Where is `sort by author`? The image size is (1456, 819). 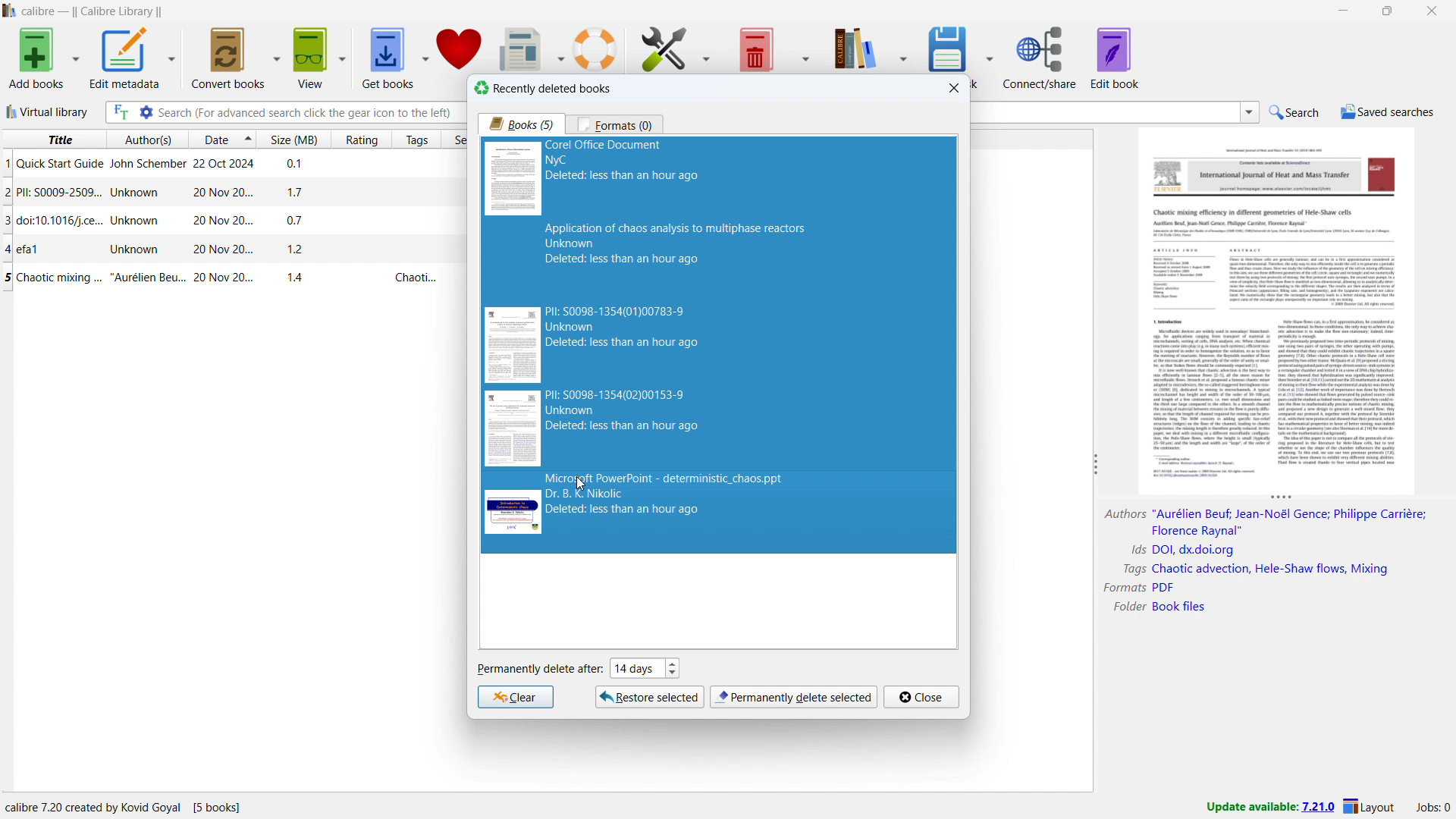
sort by author is located at coordinates (146, 139).